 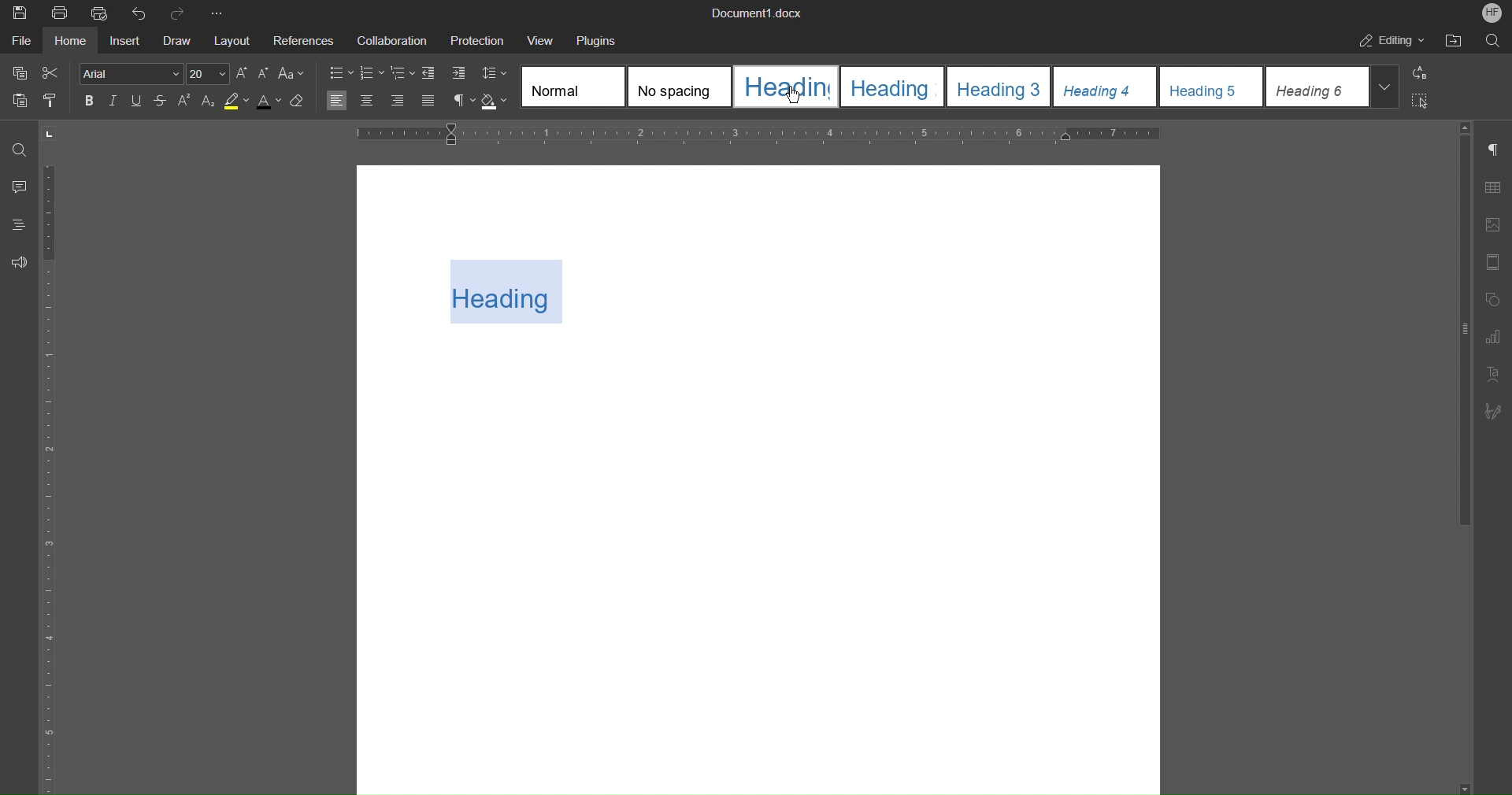 What do you see at coordinates (56, 72) in the screenshot?
I see `Cut` at bounding box center [56, 72].